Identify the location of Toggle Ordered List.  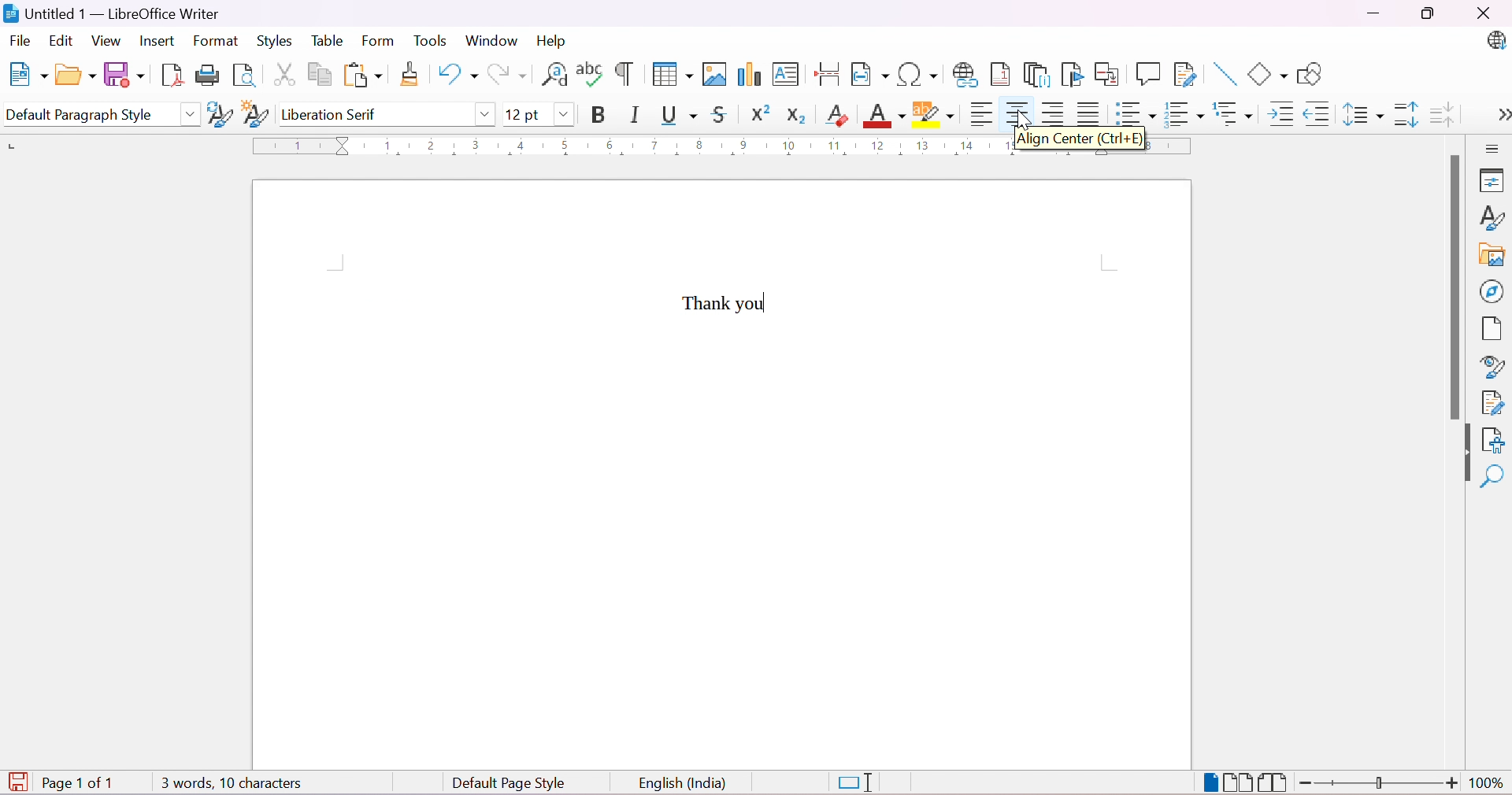
(1182, 113).